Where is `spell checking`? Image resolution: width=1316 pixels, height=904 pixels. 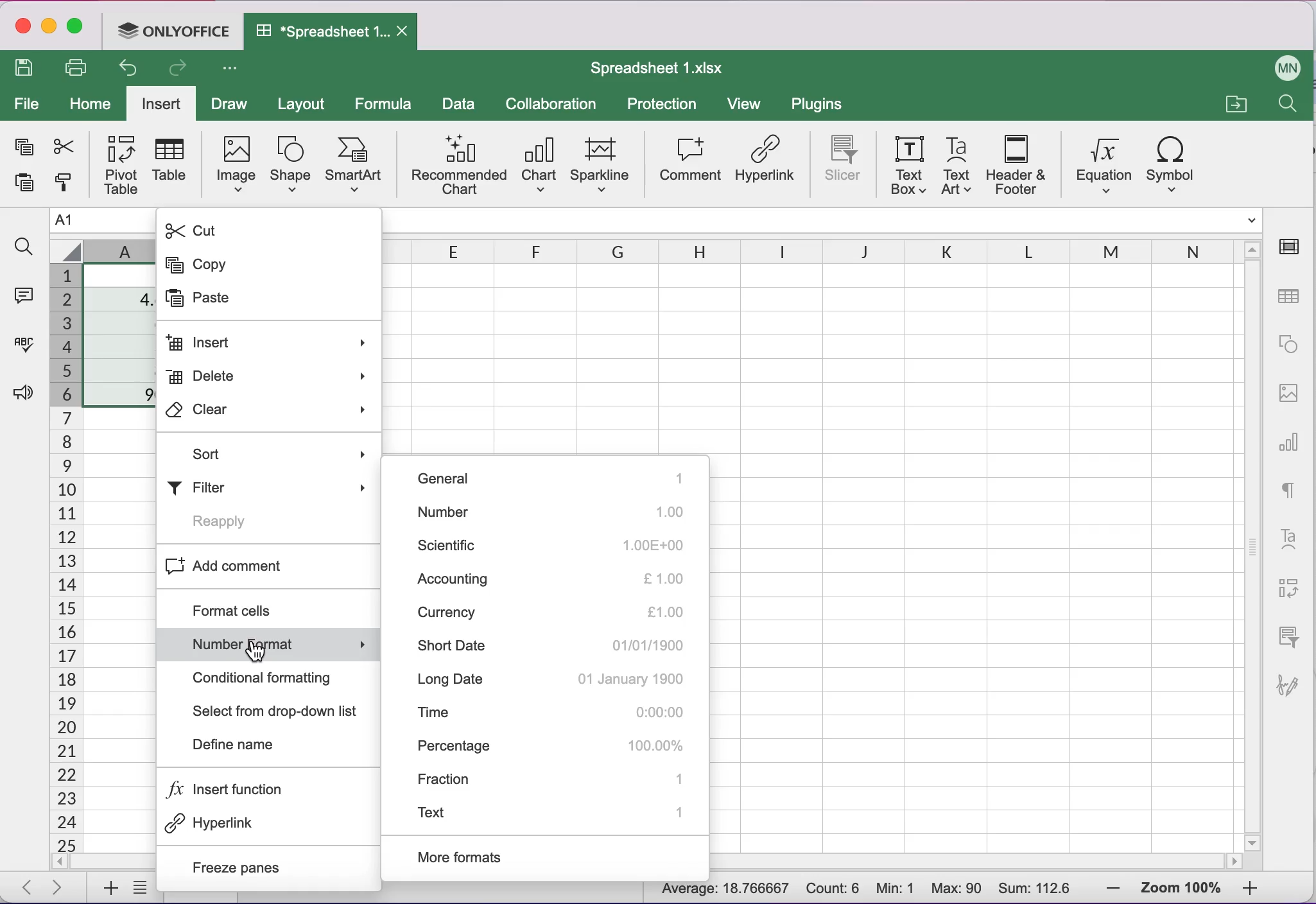
spell checking is located at coordinates (22, 345).